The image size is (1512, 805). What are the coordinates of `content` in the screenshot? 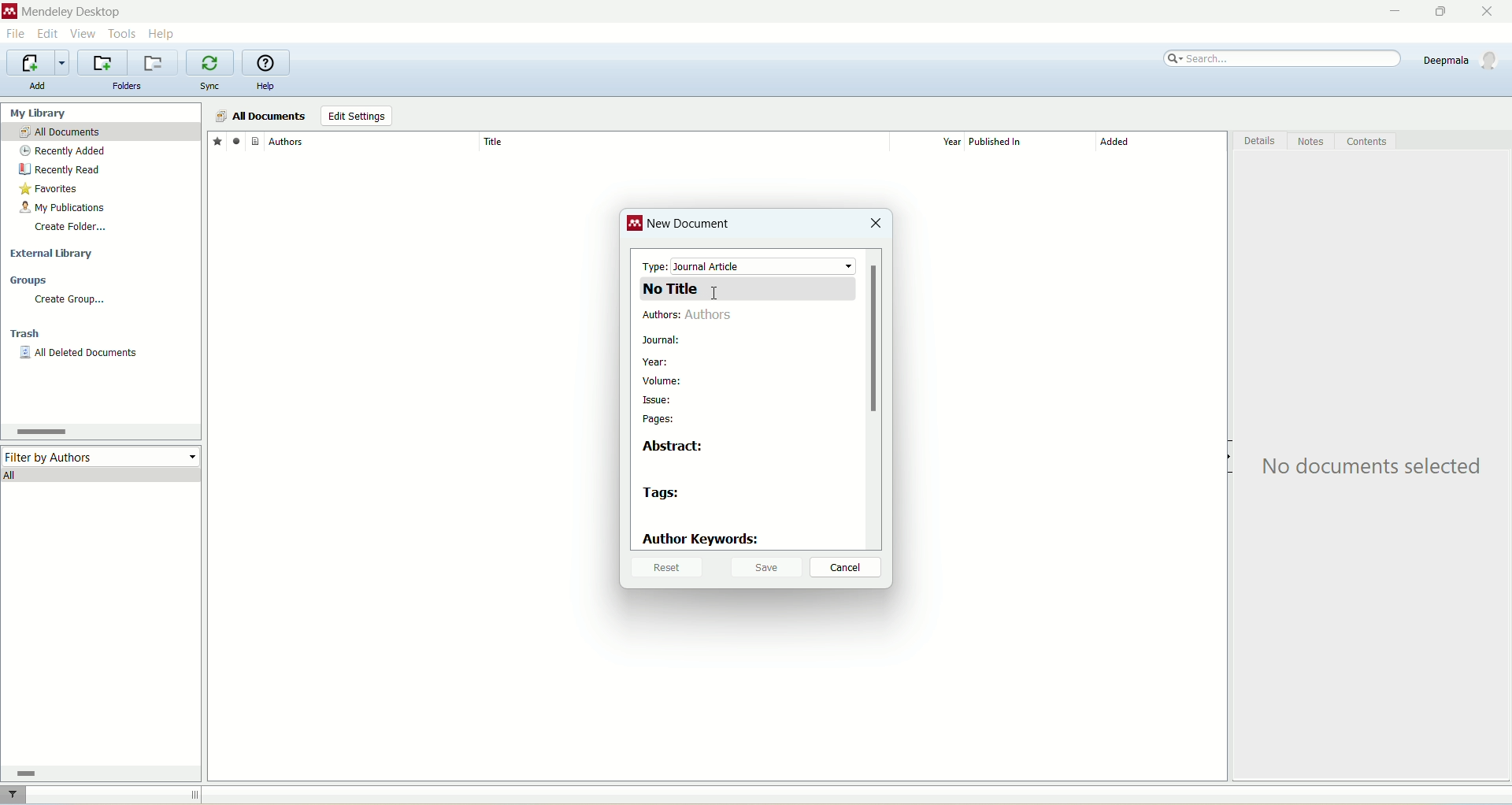 It's located at (1366, 142).